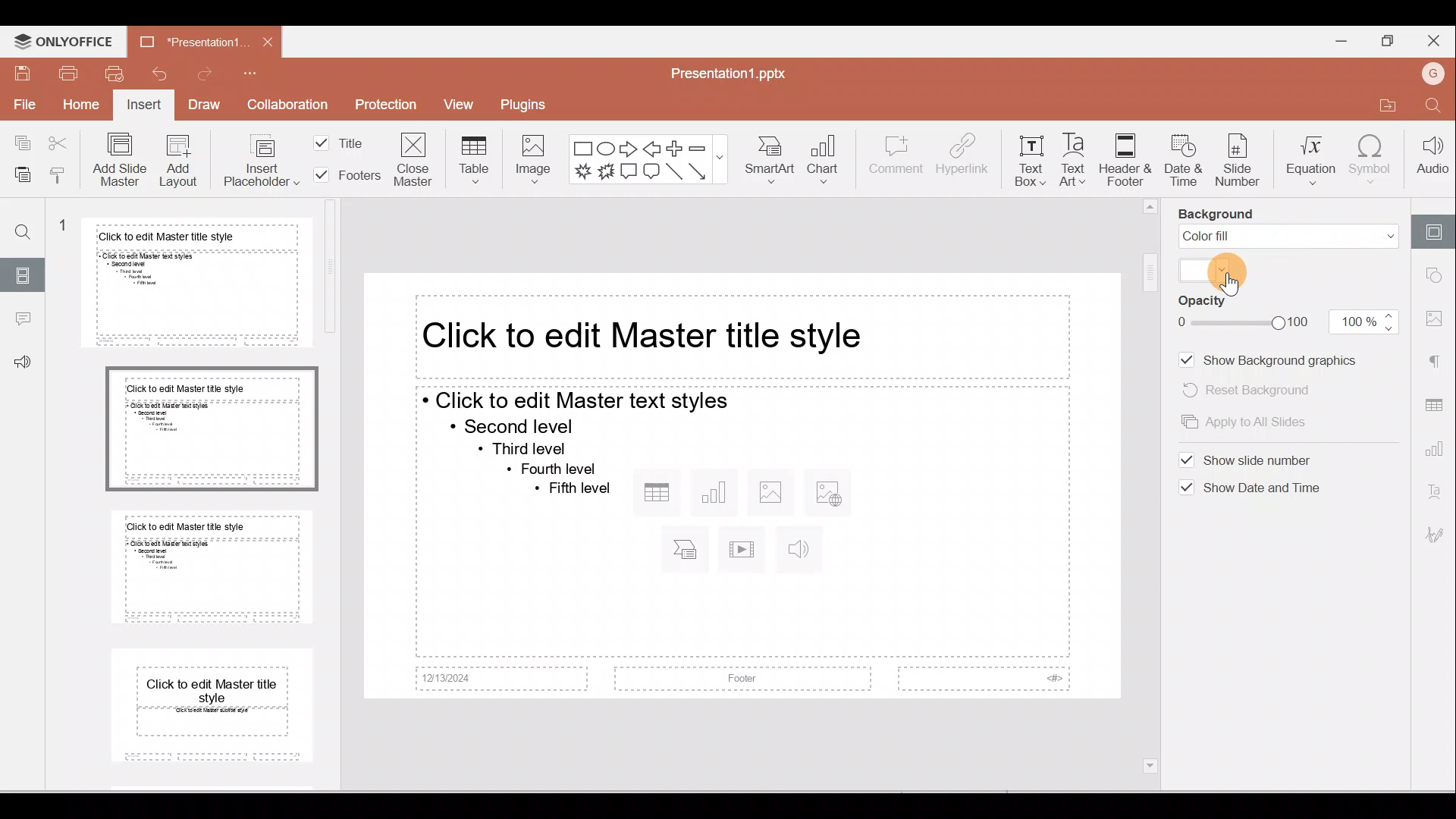 This screenshot has width=1456, height=819. Describe the element at coordinates (24, 362) in the screenshot. I see `Feedback & support` at that location.